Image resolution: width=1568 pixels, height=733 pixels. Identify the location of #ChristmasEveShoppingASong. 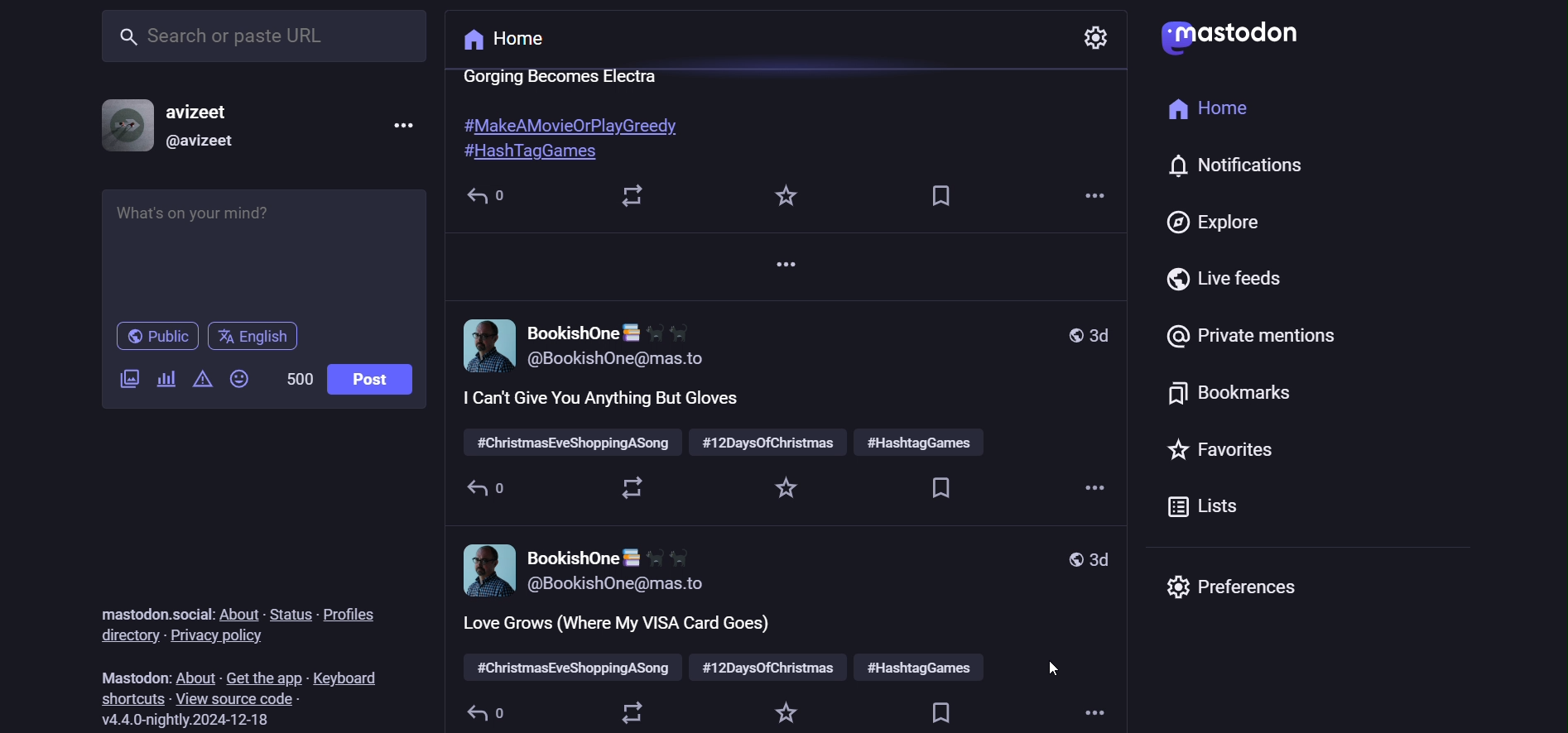
(572, 443).